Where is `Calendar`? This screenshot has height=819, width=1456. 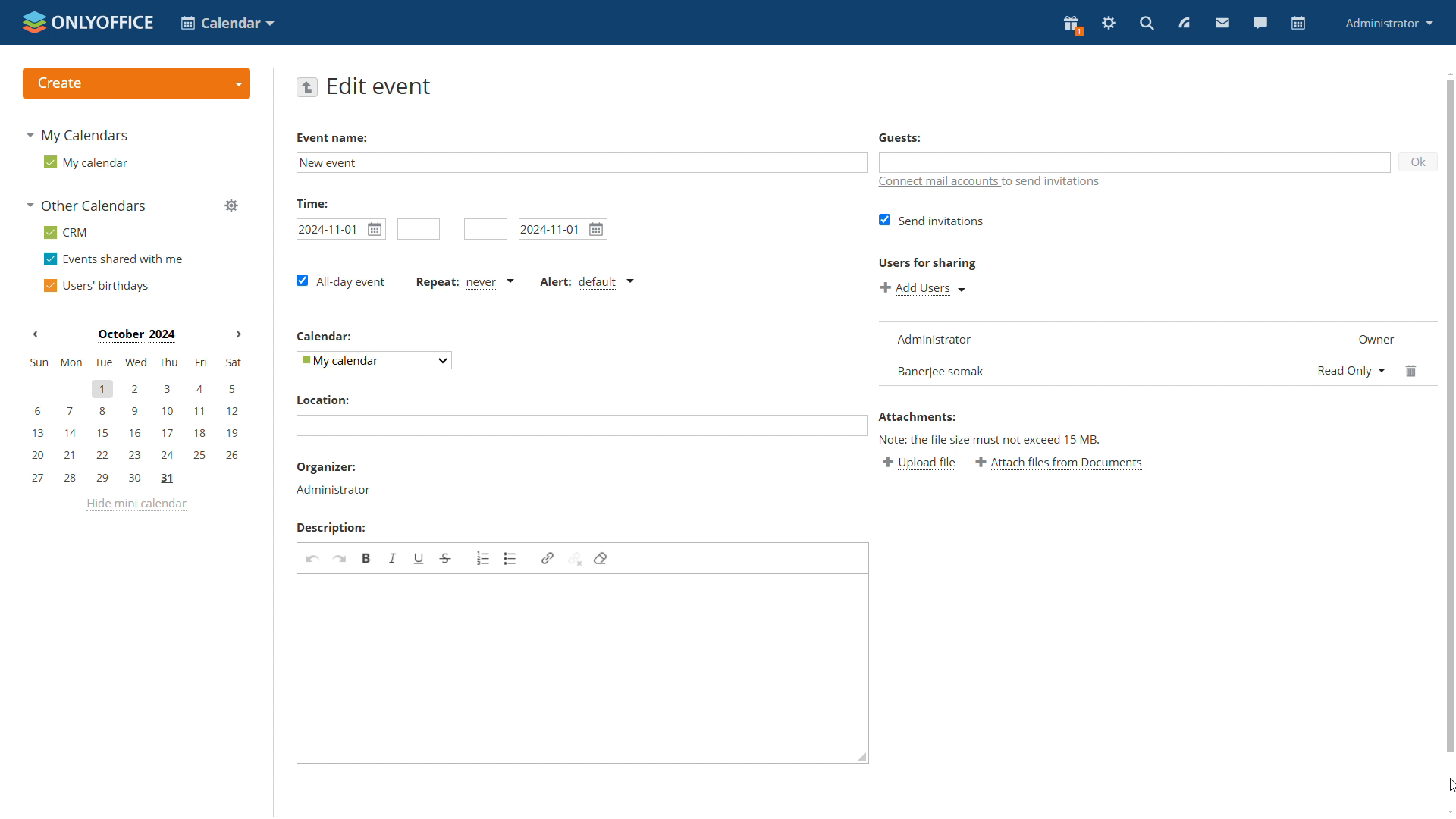 Calendar is located at coordinates (324, 338).